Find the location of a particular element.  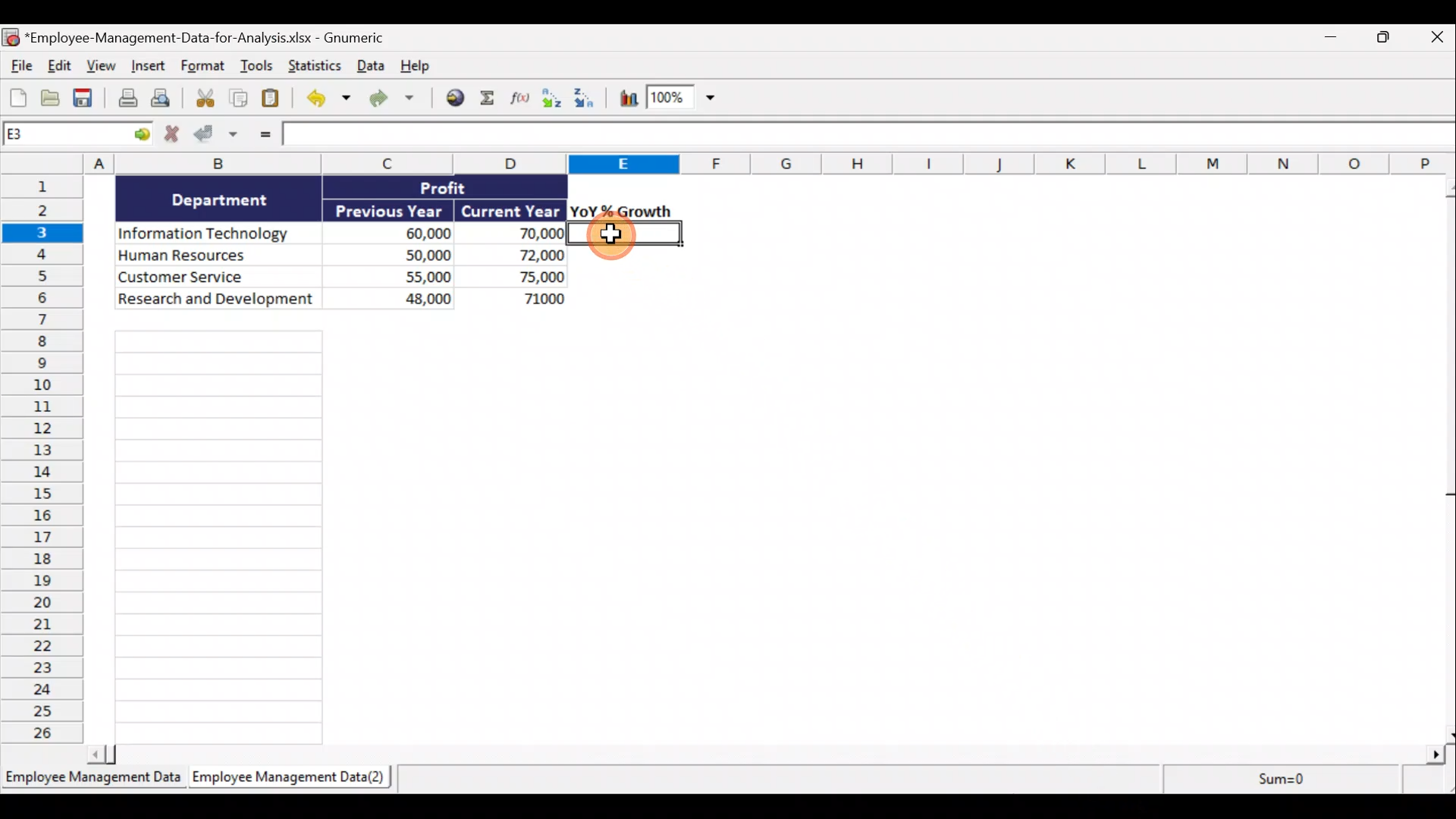

Print preview is located at coordinates (162, 99).